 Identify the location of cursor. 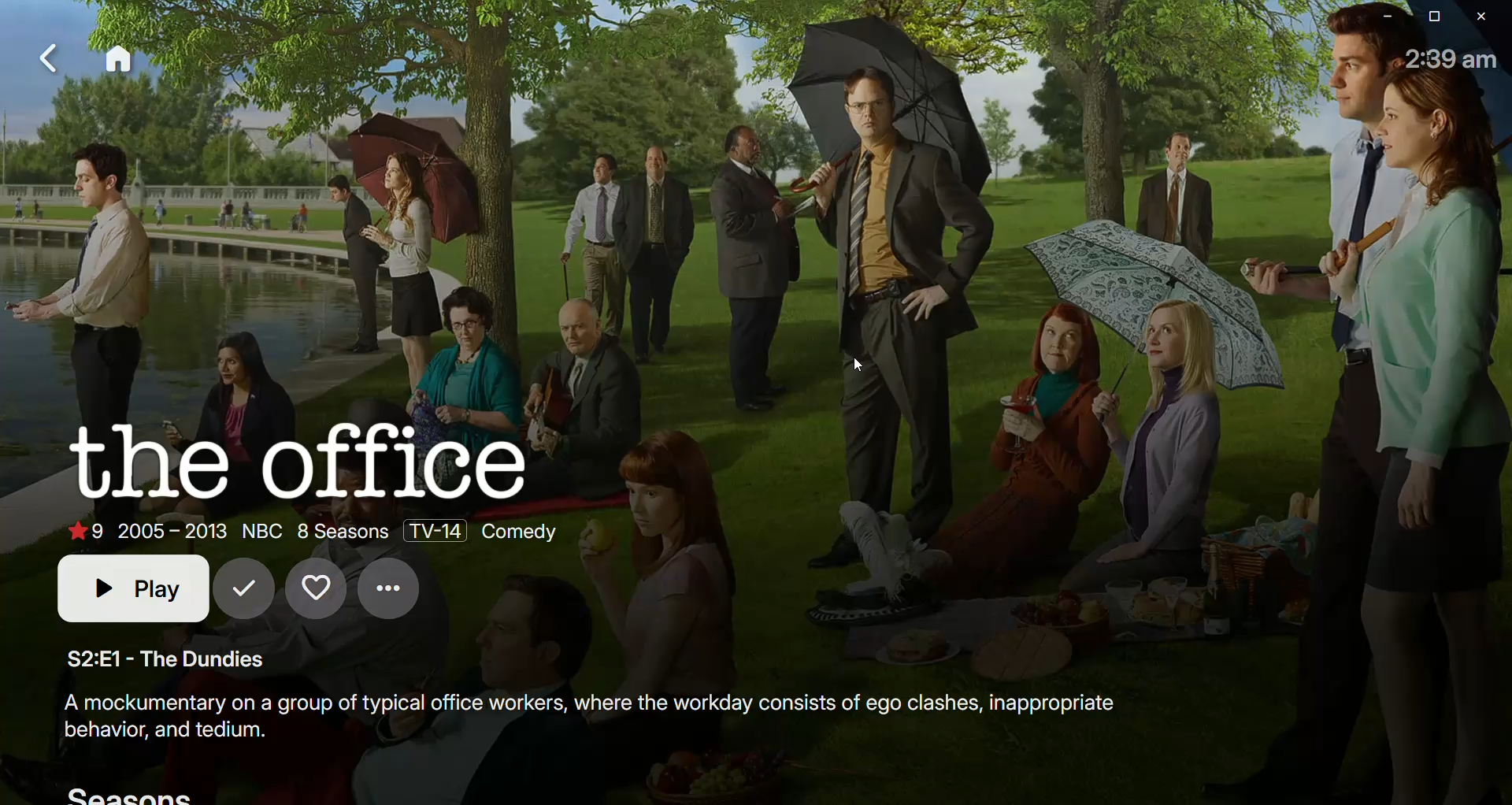
(866, 365).